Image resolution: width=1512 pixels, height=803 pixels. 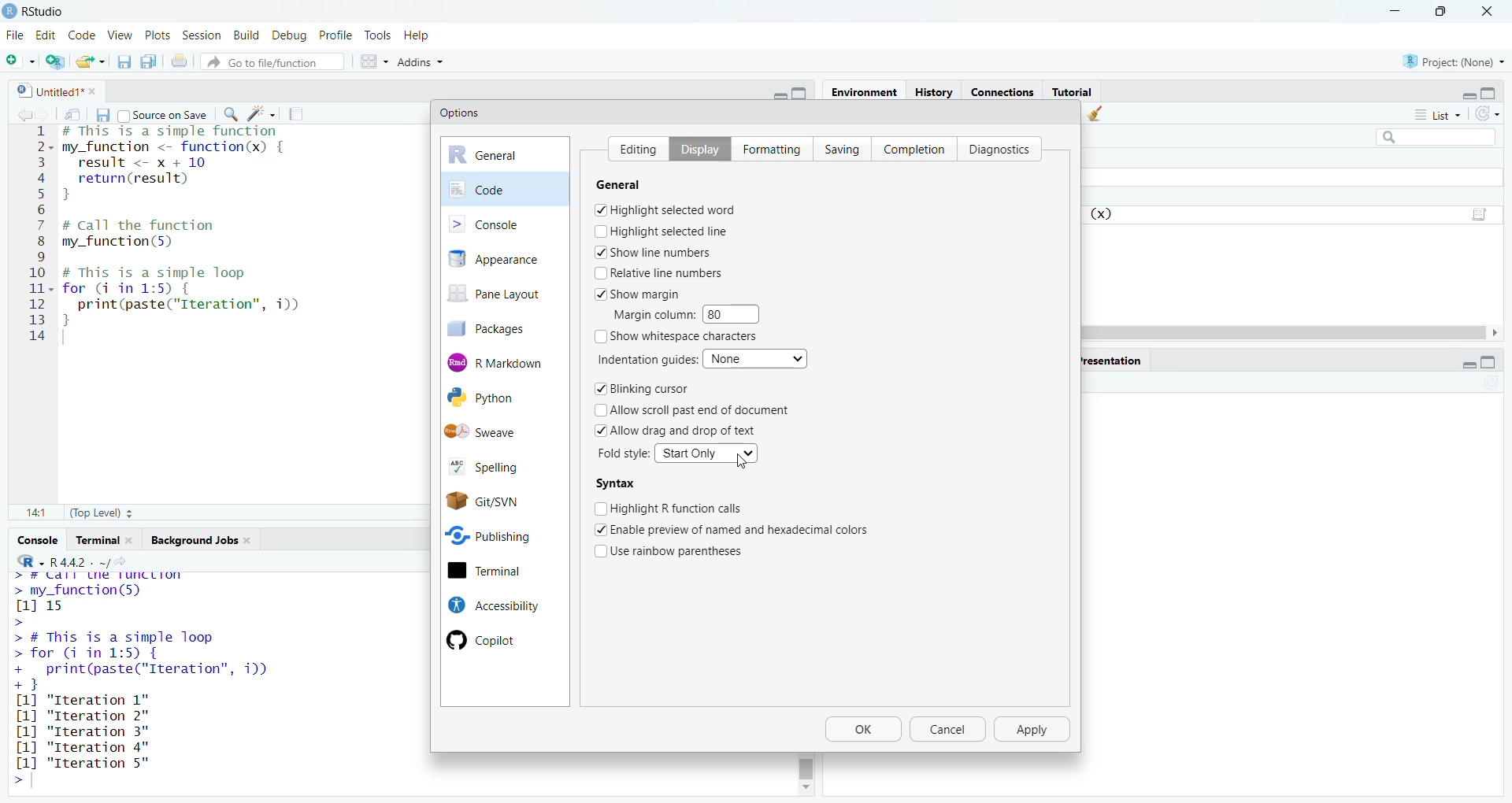 I want to click on blinking cursor, so click(x=641, y=390).